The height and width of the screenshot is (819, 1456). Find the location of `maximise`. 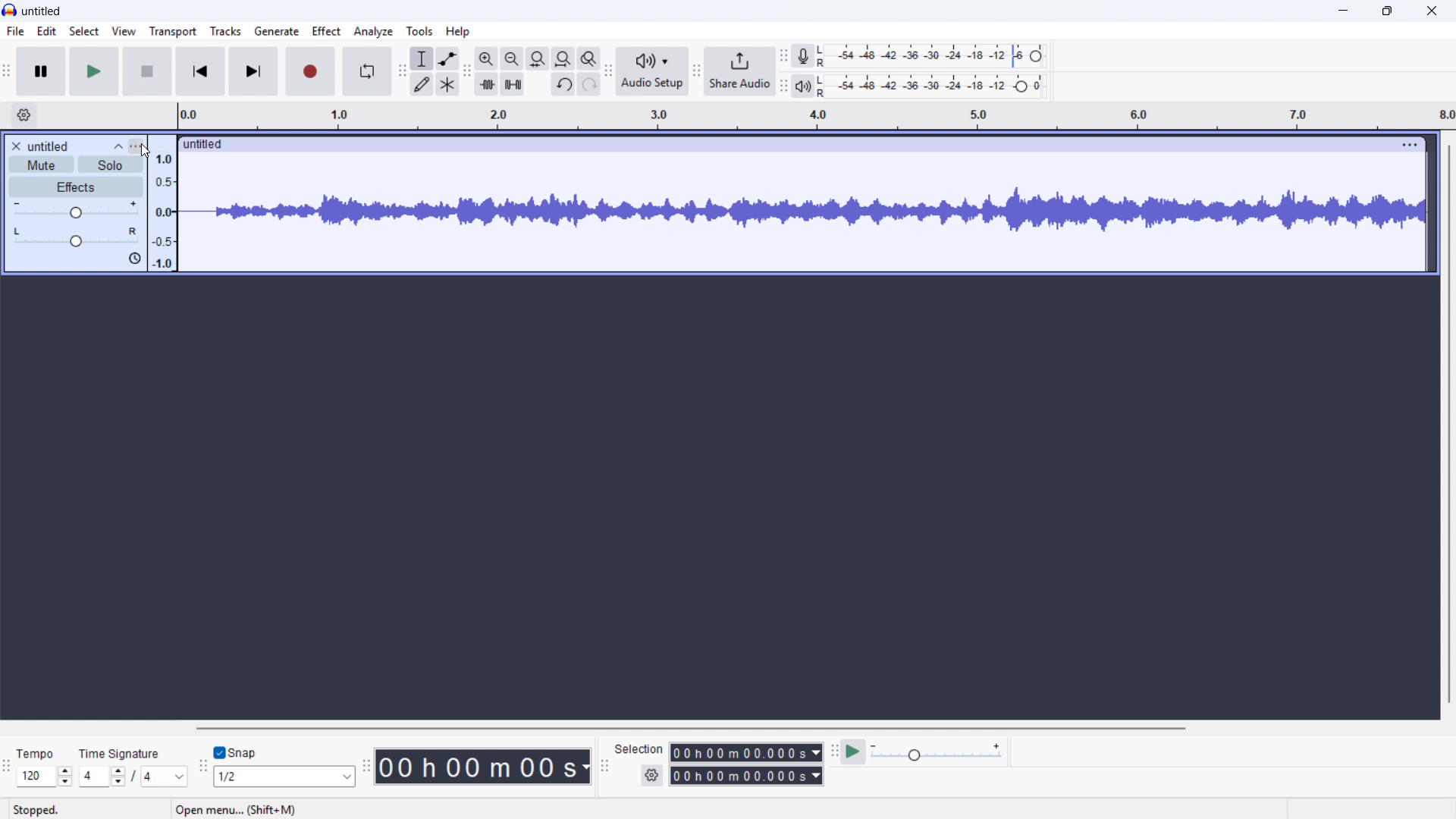

maximise is located at coordinates (1389, 11).